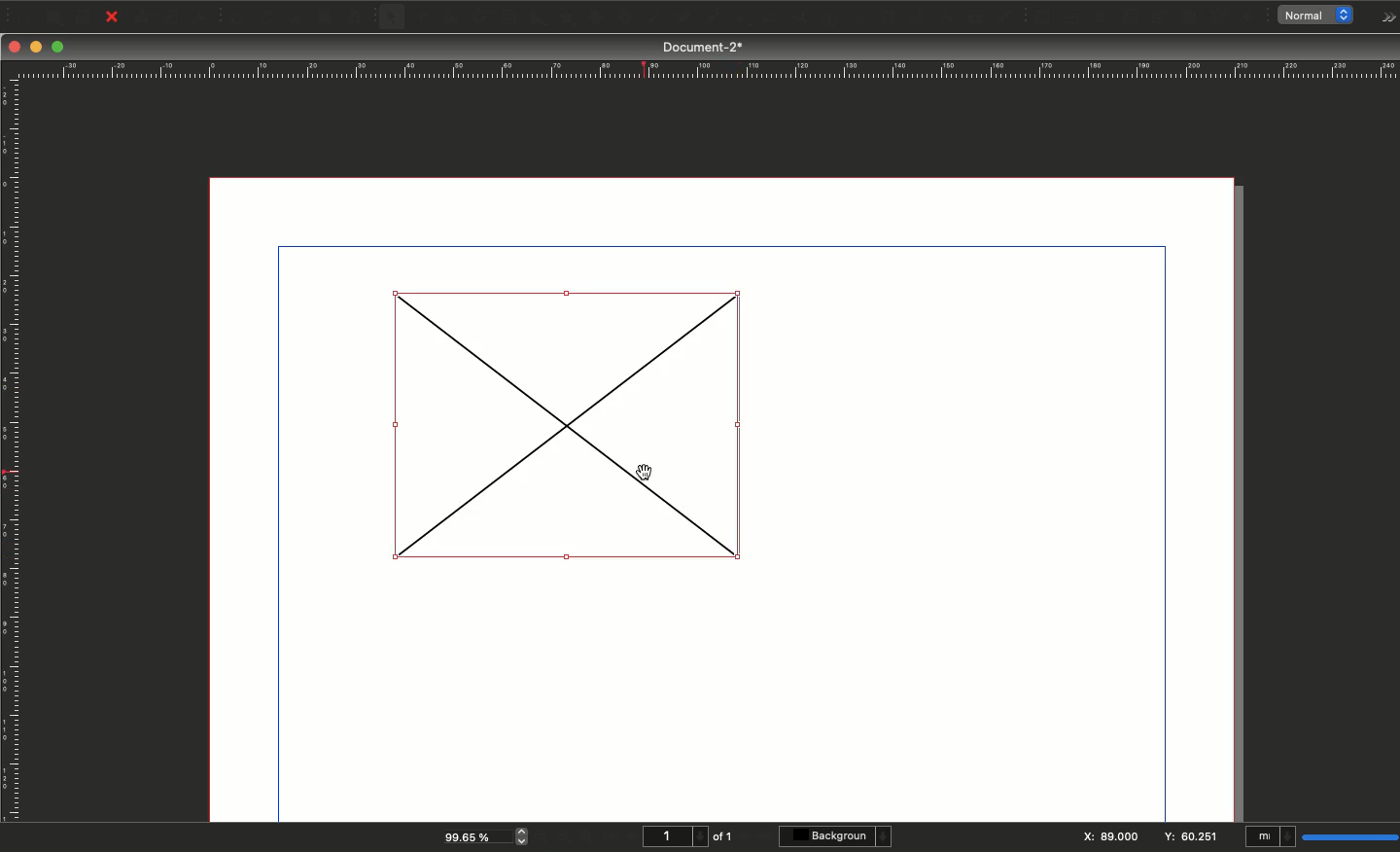 The width and height of the screenshot is (1400, 852). Describe the element at coordinates (723, 836) in the screenshot. I see `of 1` at that location.